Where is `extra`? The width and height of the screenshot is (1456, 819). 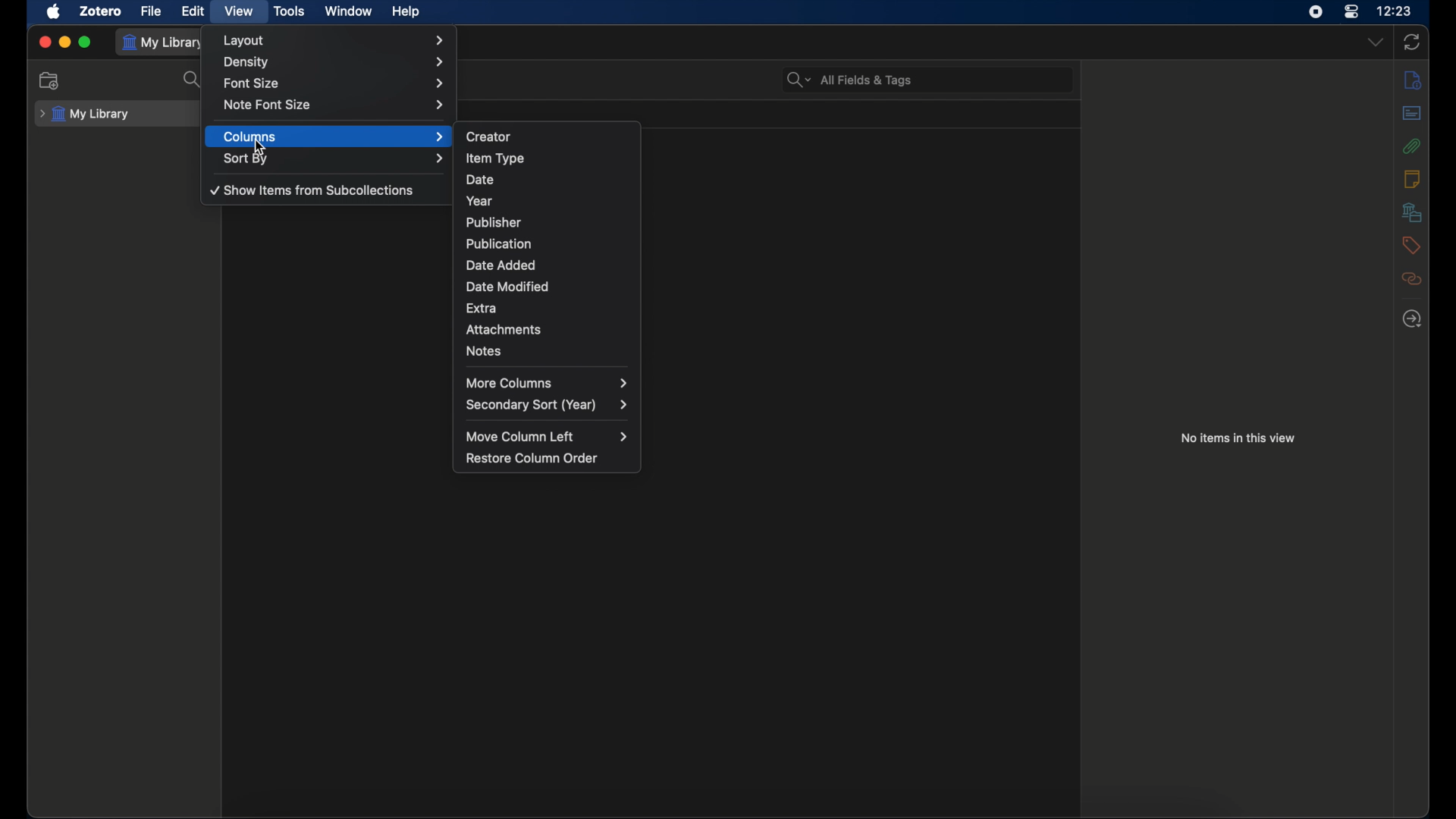 extra is located at coordinates (482, 309).